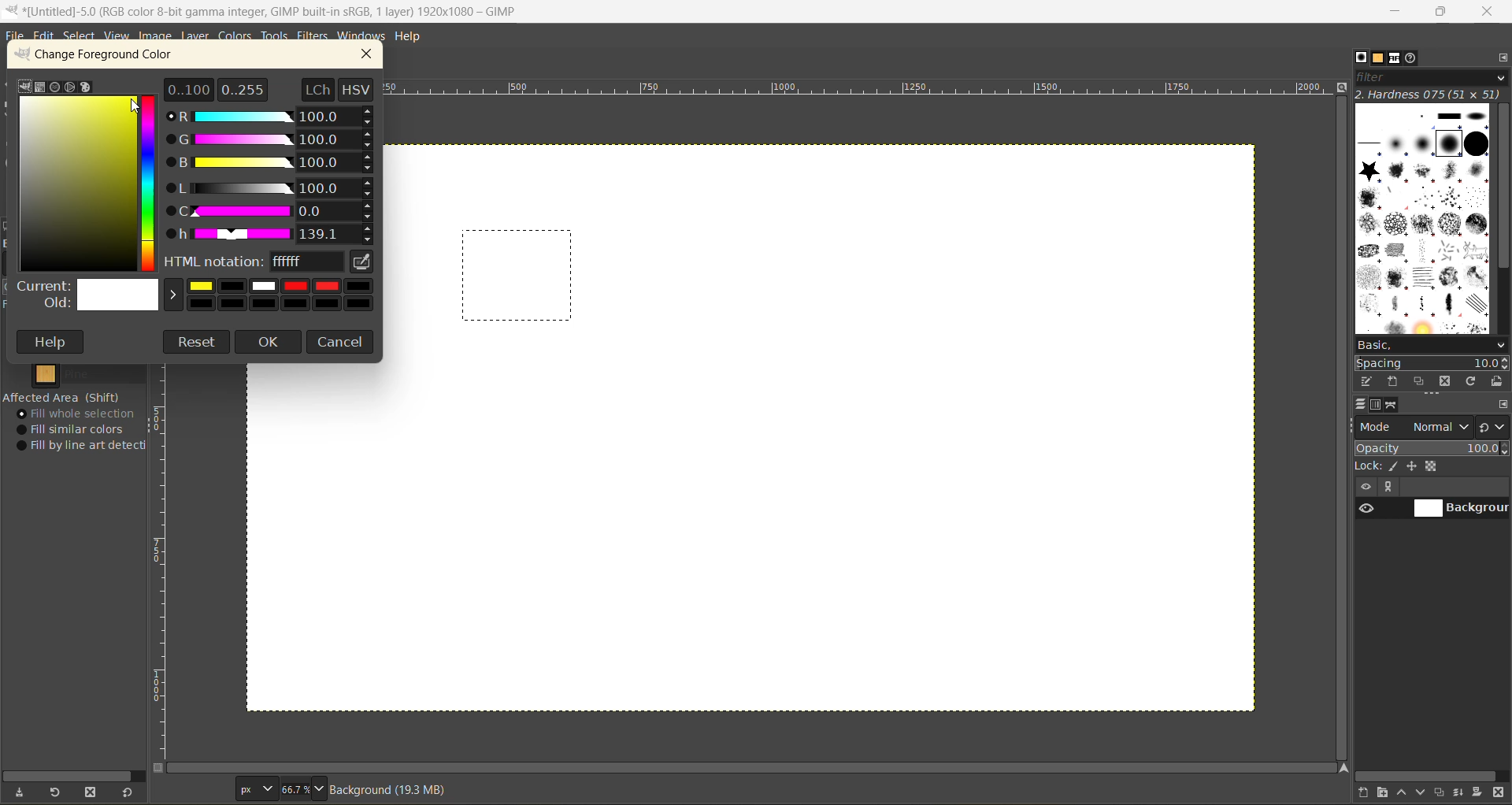 Image resolution: width=1512 pixels, height=805 pixels. What do you see at coordinates (1425, 219) in the screenshot?
I see `brushes` at bounding box center [1425, 219].